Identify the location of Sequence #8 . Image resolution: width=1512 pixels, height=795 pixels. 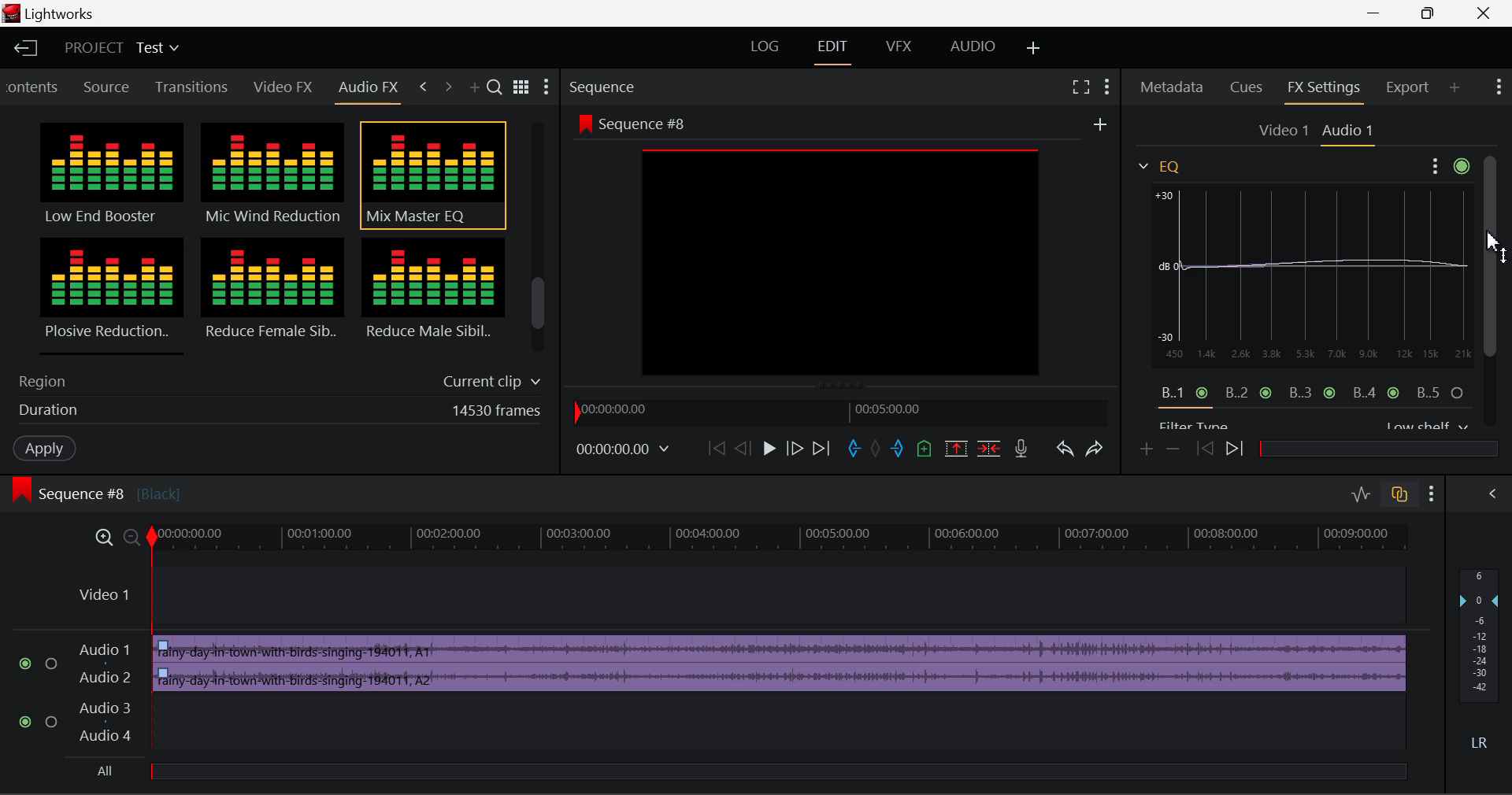
(630, 120).